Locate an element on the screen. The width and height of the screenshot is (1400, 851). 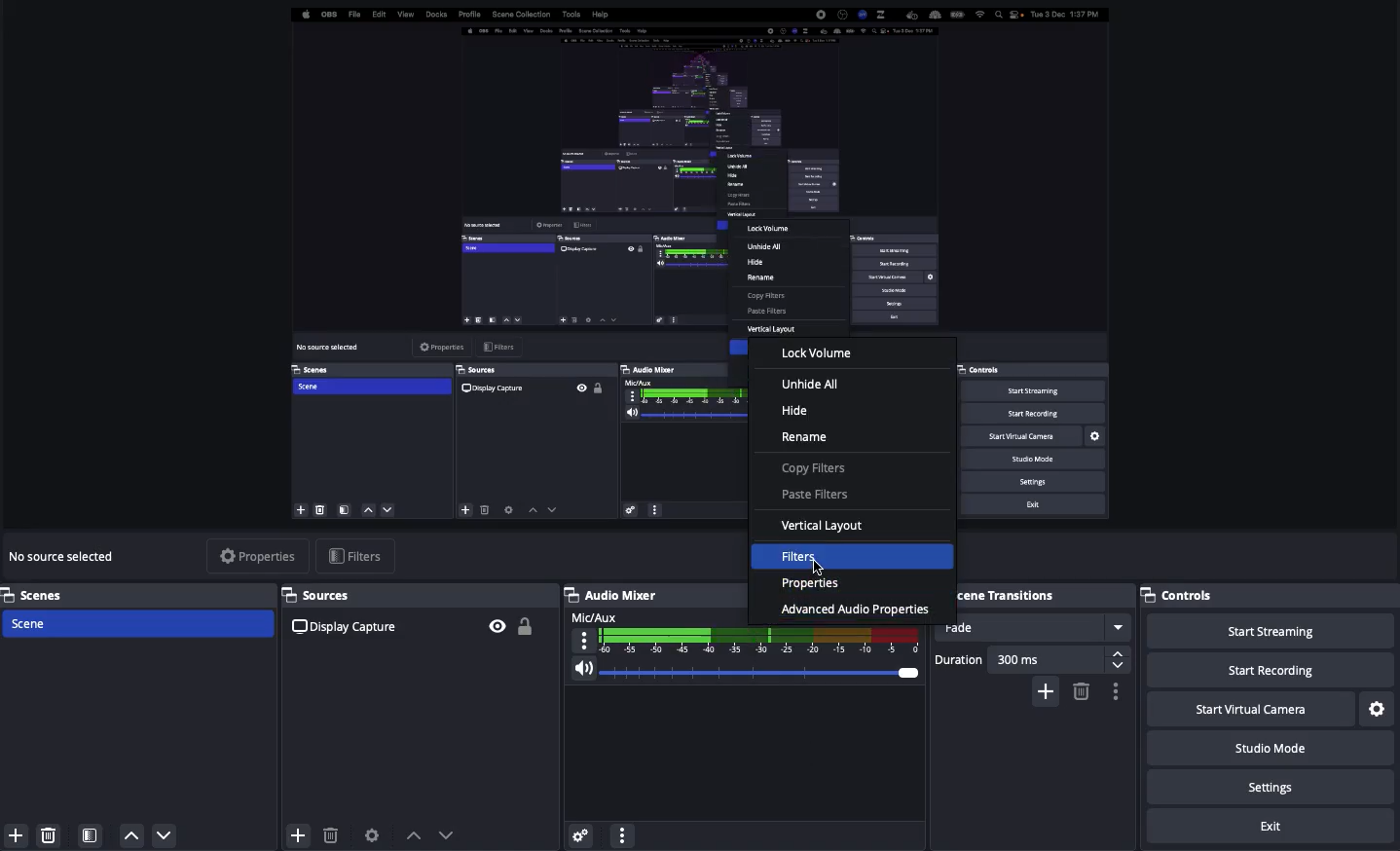
Unhide all is located at coordinates (812, 385).